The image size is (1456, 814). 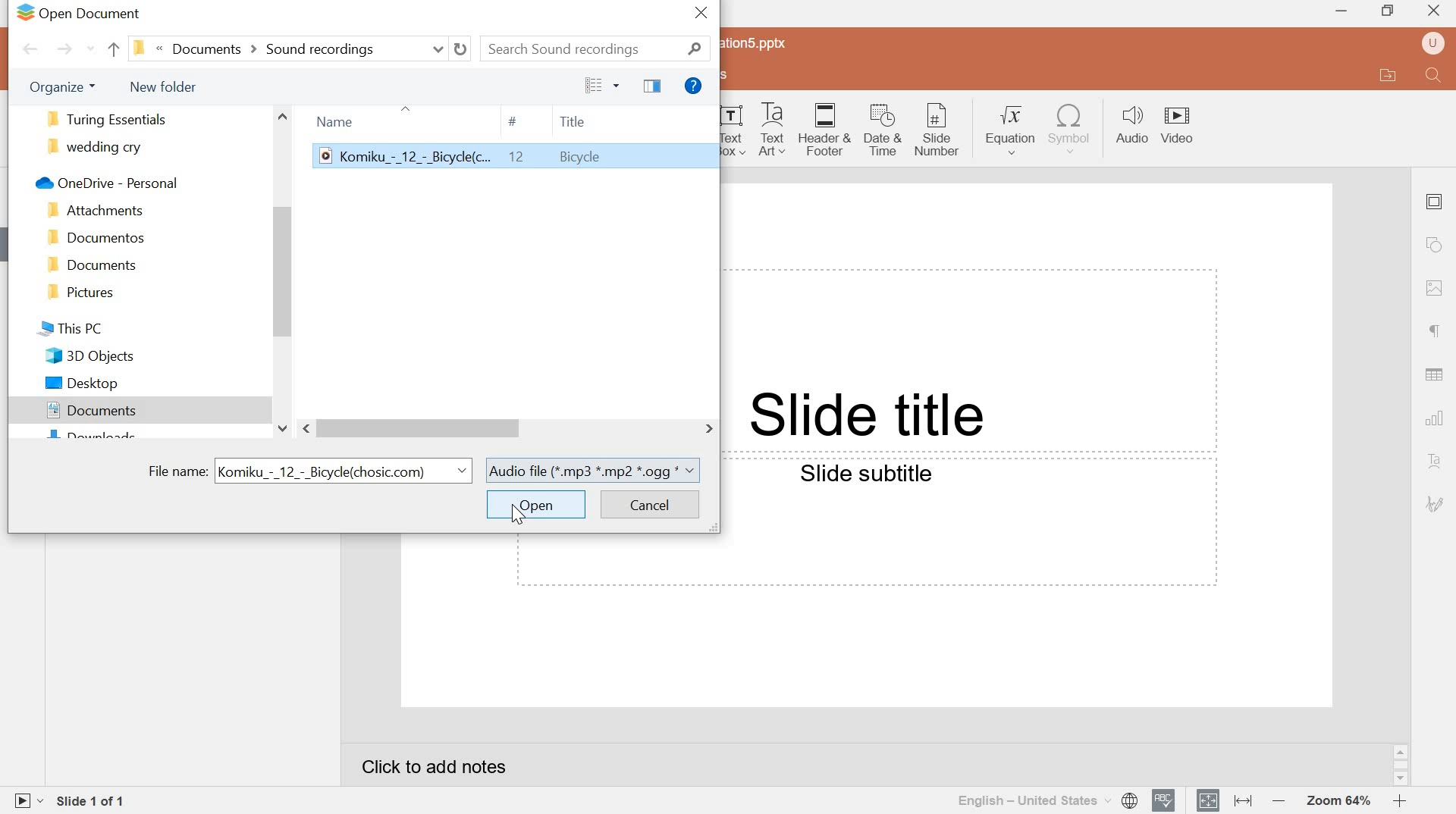 What do you see at coordinates (1401, 765) in the screenshot?
I see `scrollbar` at bounding box center [1401, 765].